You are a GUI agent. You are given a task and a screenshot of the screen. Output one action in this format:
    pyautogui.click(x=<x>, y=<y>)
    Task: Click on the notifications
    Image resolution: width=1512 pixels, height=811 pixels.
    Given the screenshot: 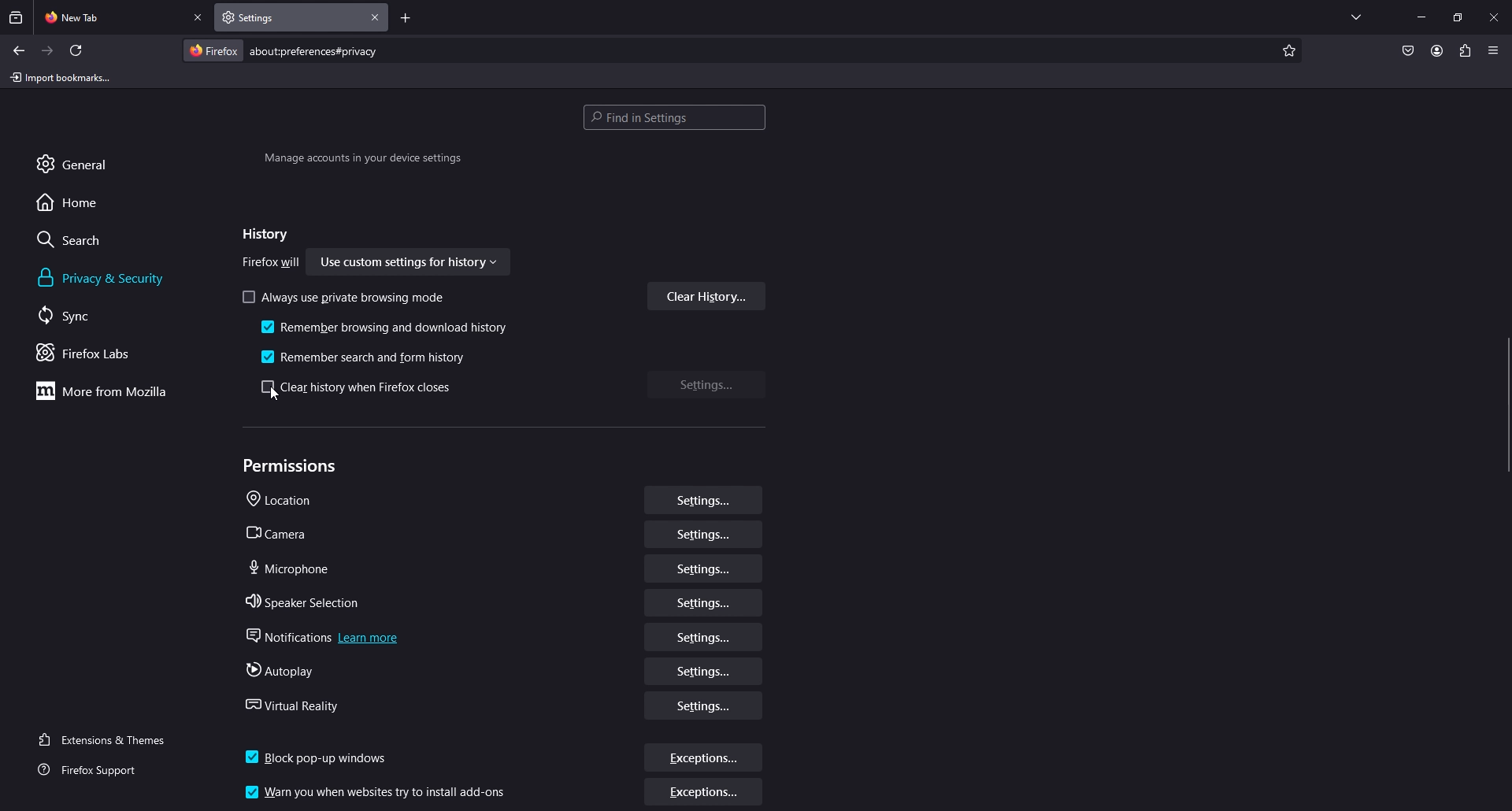 What is the action you would take?
    pyautogui.click(x=319, y=633)
    